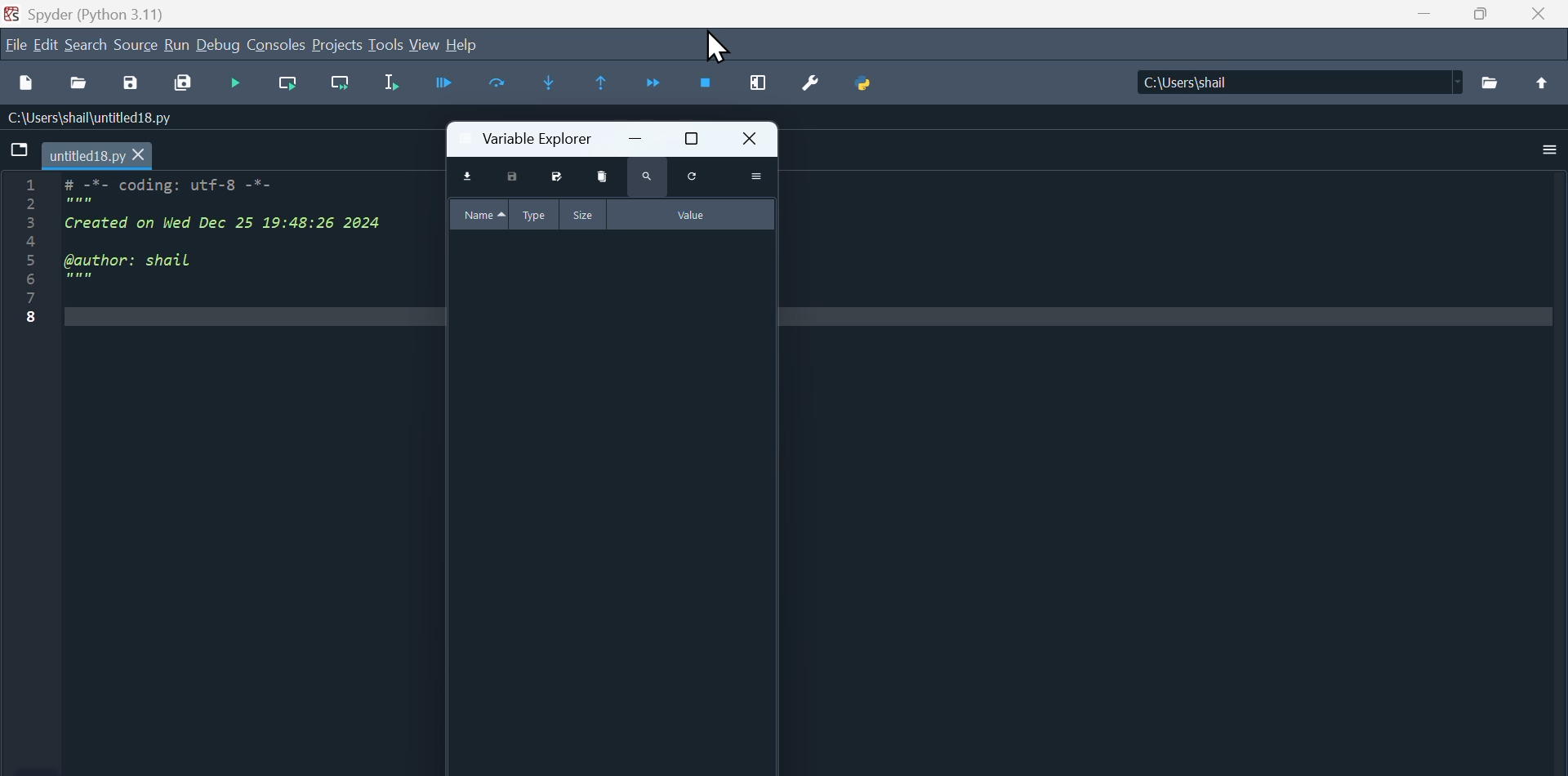  What do you see at coordinates (339, 45) in the screenshot?
I see `Projects` at bounding box center [339, 45].